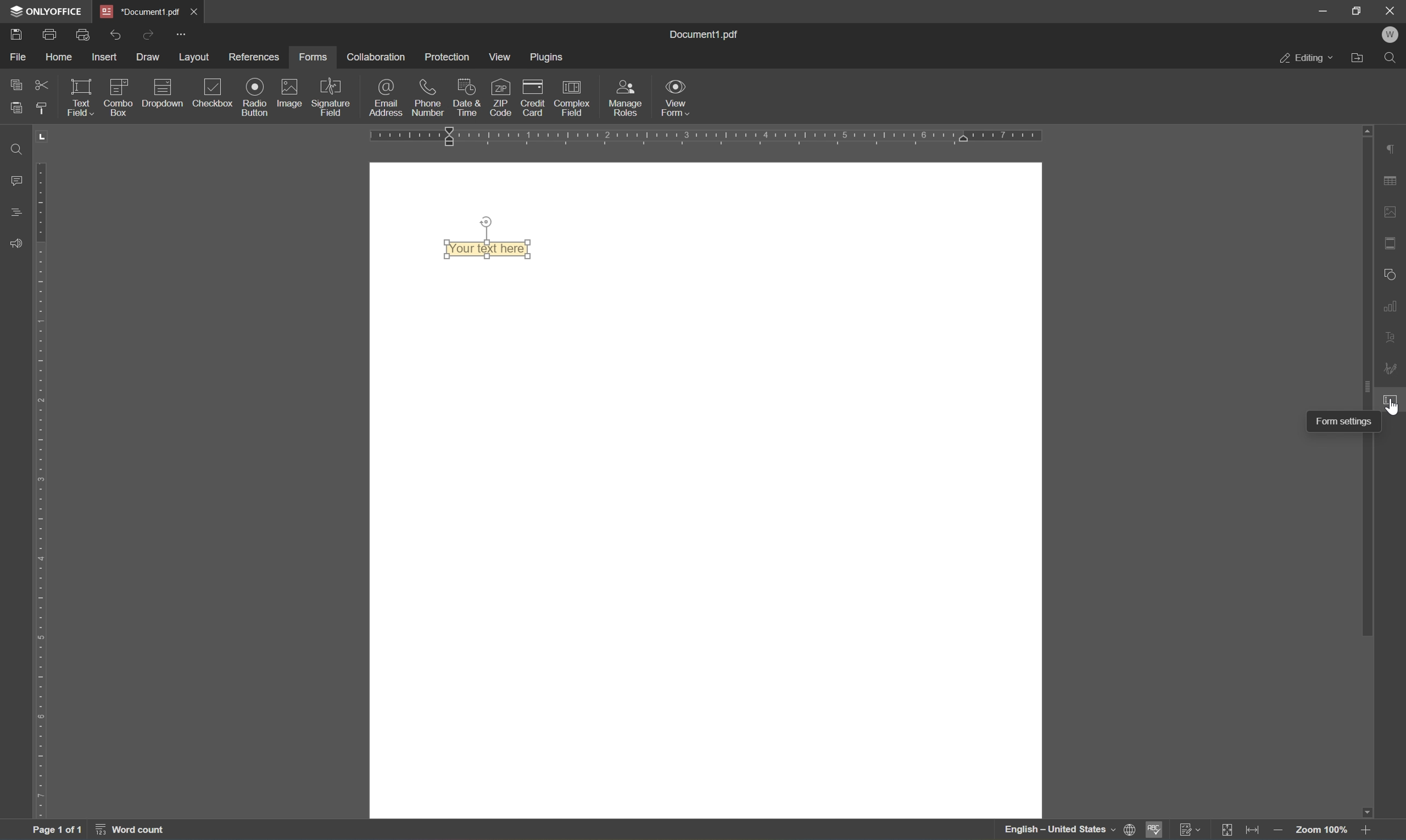 This screenshot has height=840, width=1406. Describe the element at coordinates (707, 137) in the screenshot. I see `ruler` at that location.